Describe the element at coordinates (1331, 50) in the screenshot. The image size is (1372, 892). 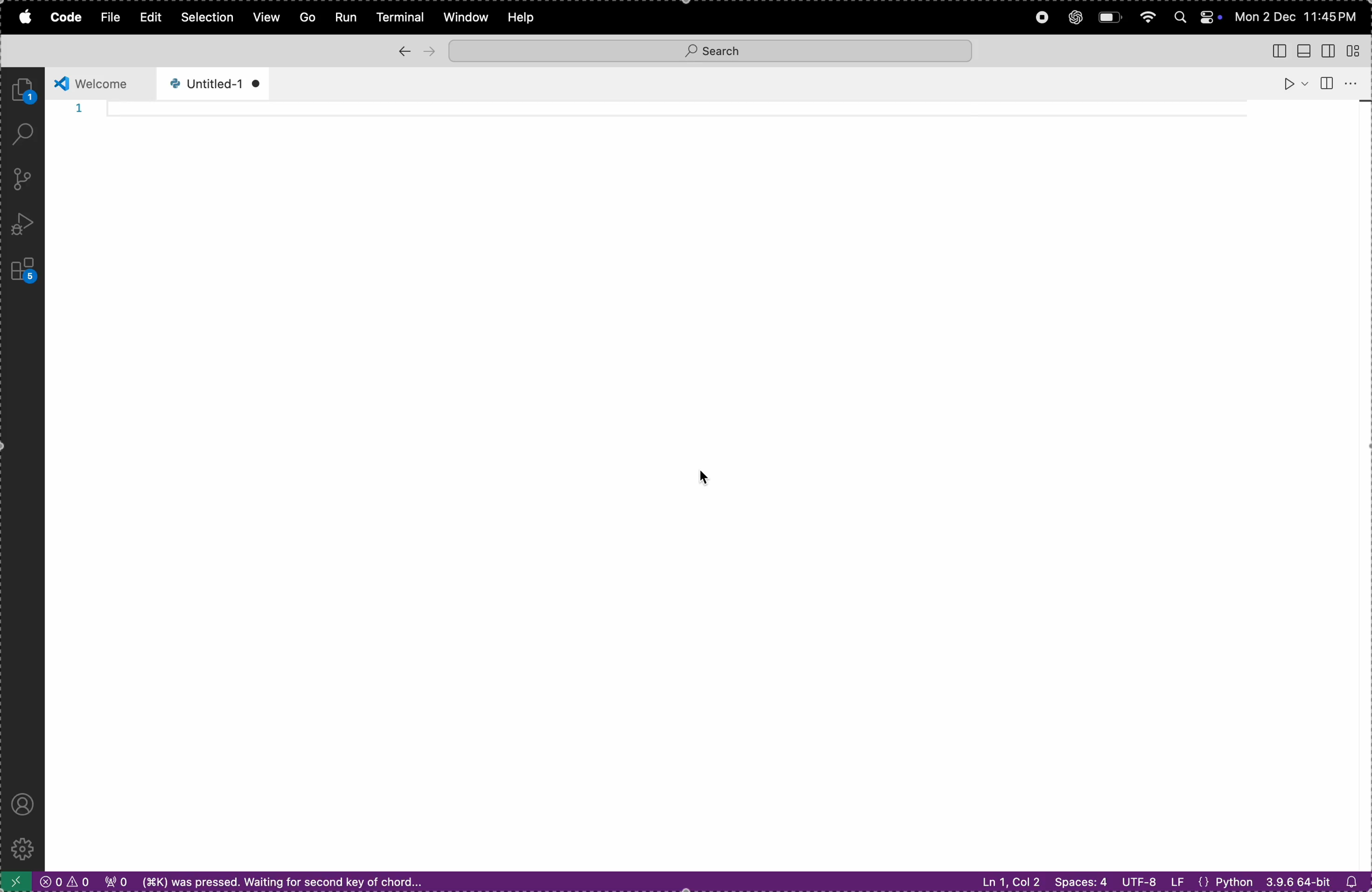
I see `toggle secondary side bar` at that location.